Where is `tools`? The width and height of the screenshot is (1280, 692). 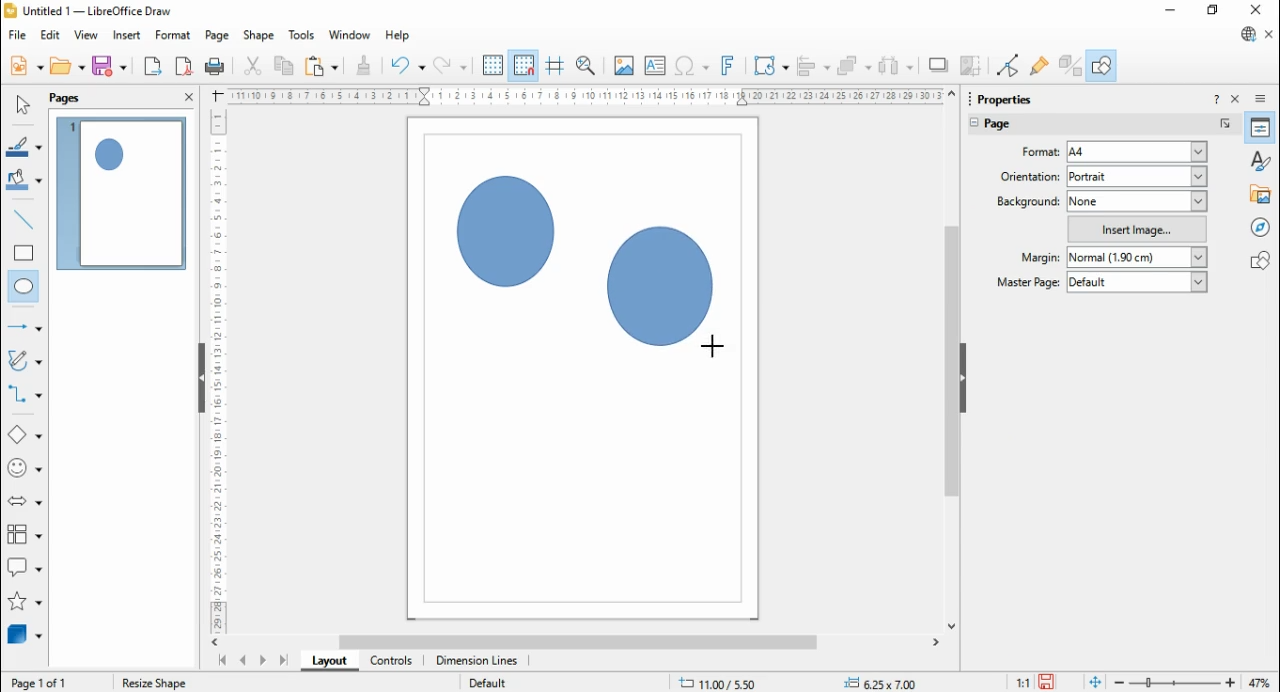 tools is located at coordinates (303, 36).